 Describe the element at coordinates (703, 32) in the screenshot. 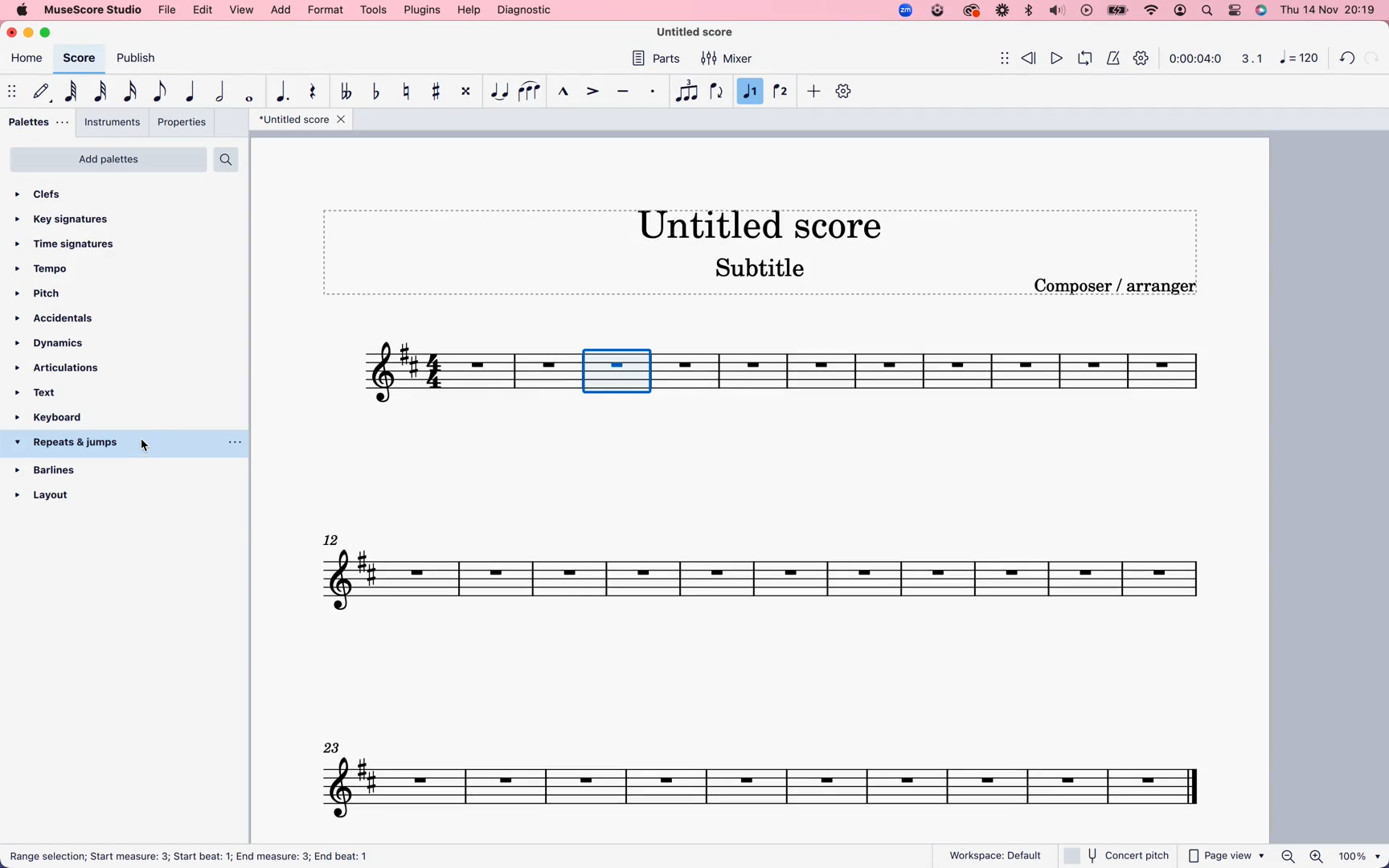

I see `score name` at that location.